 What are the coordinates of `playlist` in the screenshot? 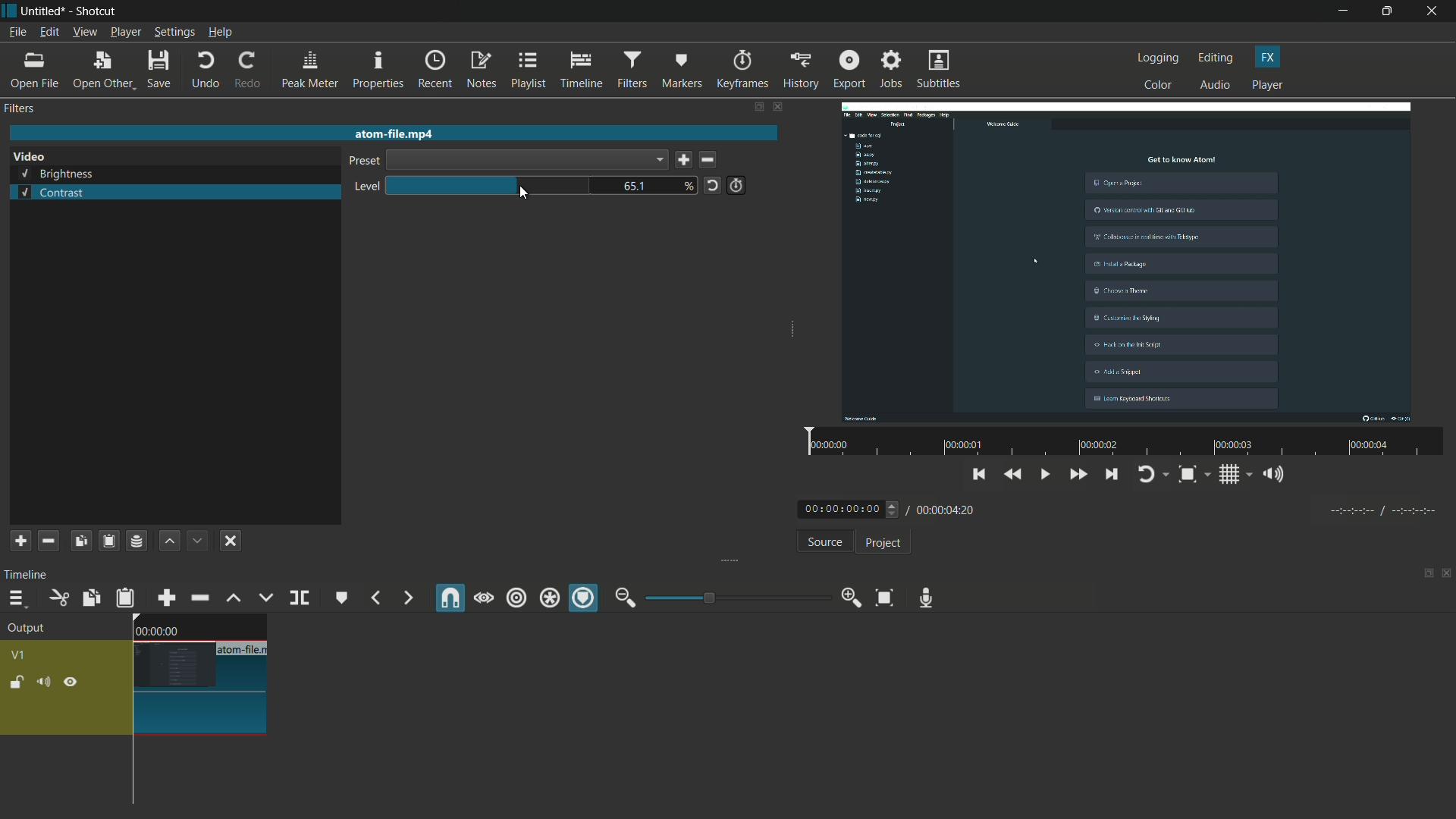 It's located at (529, 70).